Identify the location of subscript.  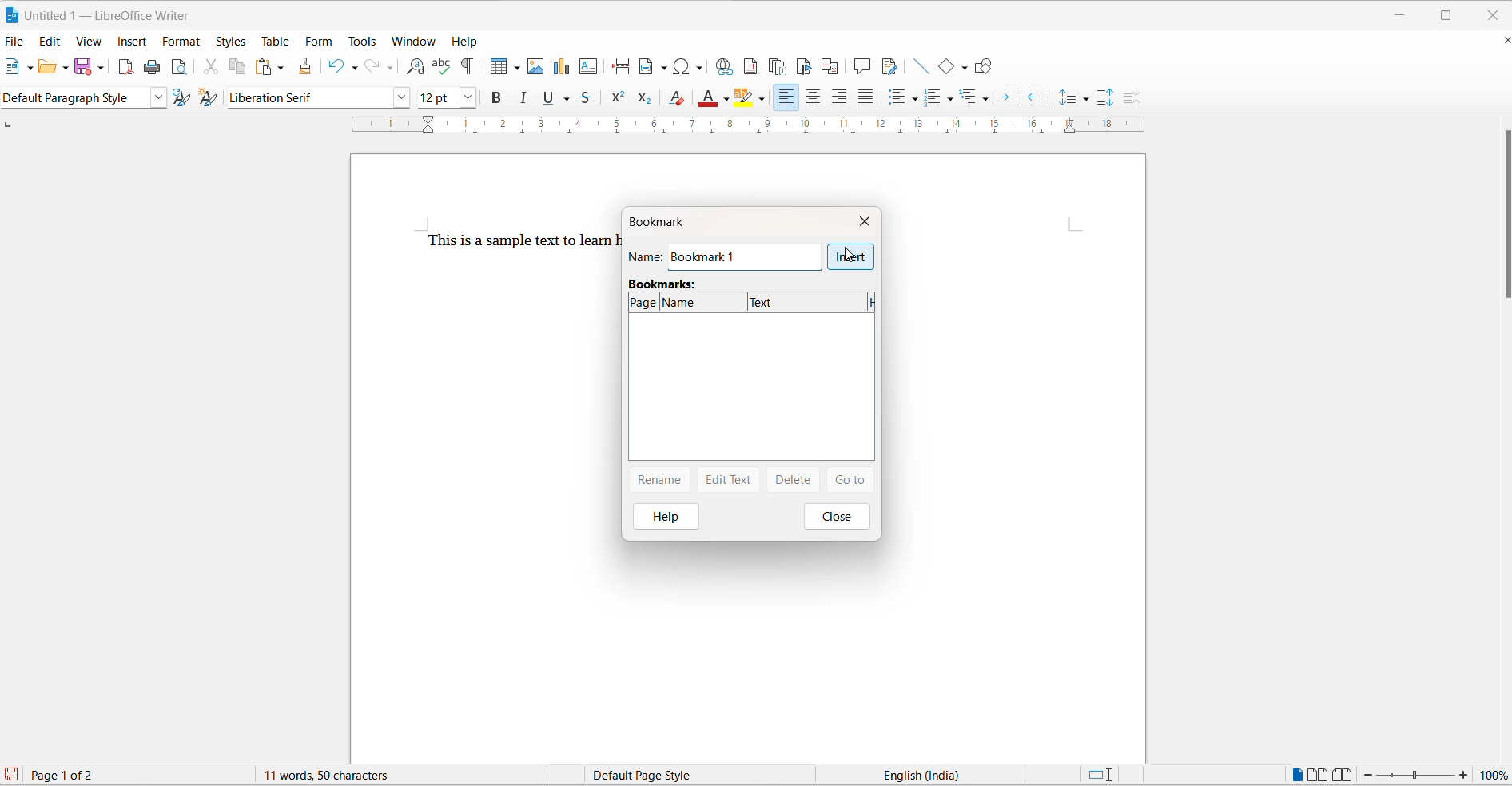
(646, 99).